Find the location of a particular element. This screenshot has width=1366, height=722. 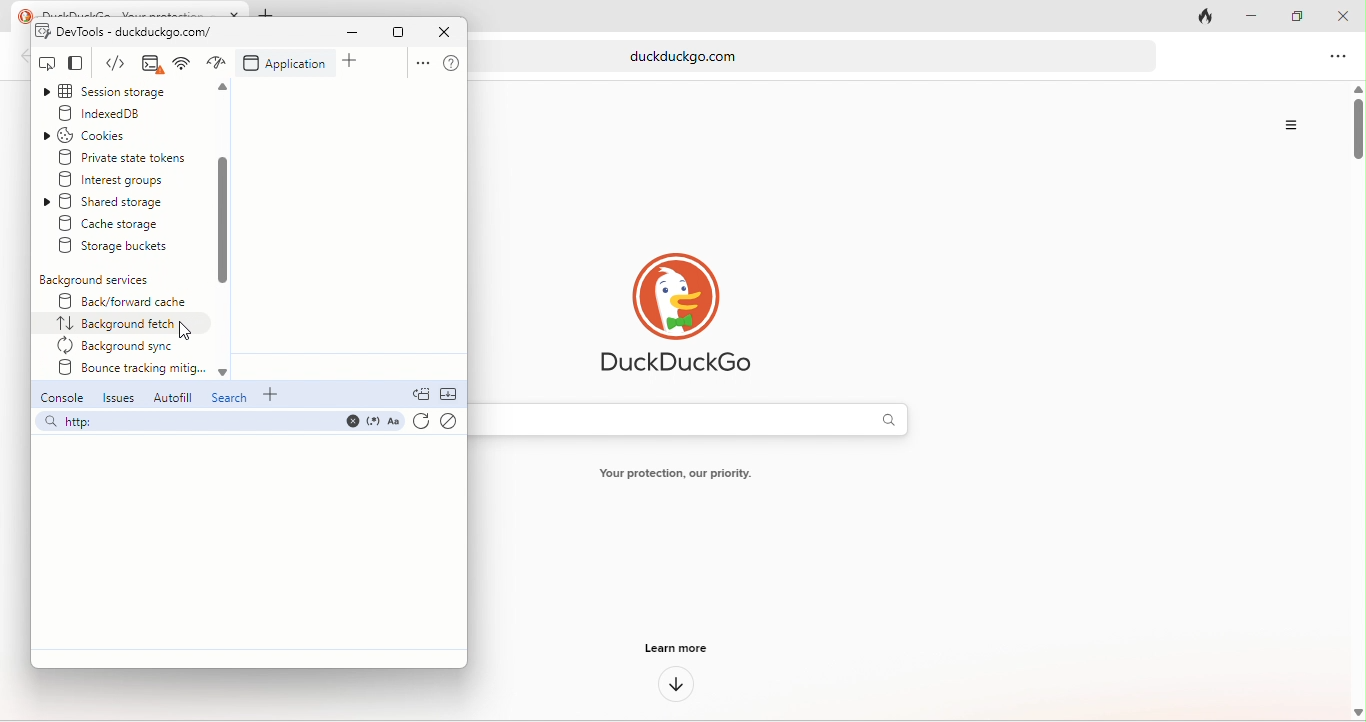

minimize is located at coordinates (1244, 17).